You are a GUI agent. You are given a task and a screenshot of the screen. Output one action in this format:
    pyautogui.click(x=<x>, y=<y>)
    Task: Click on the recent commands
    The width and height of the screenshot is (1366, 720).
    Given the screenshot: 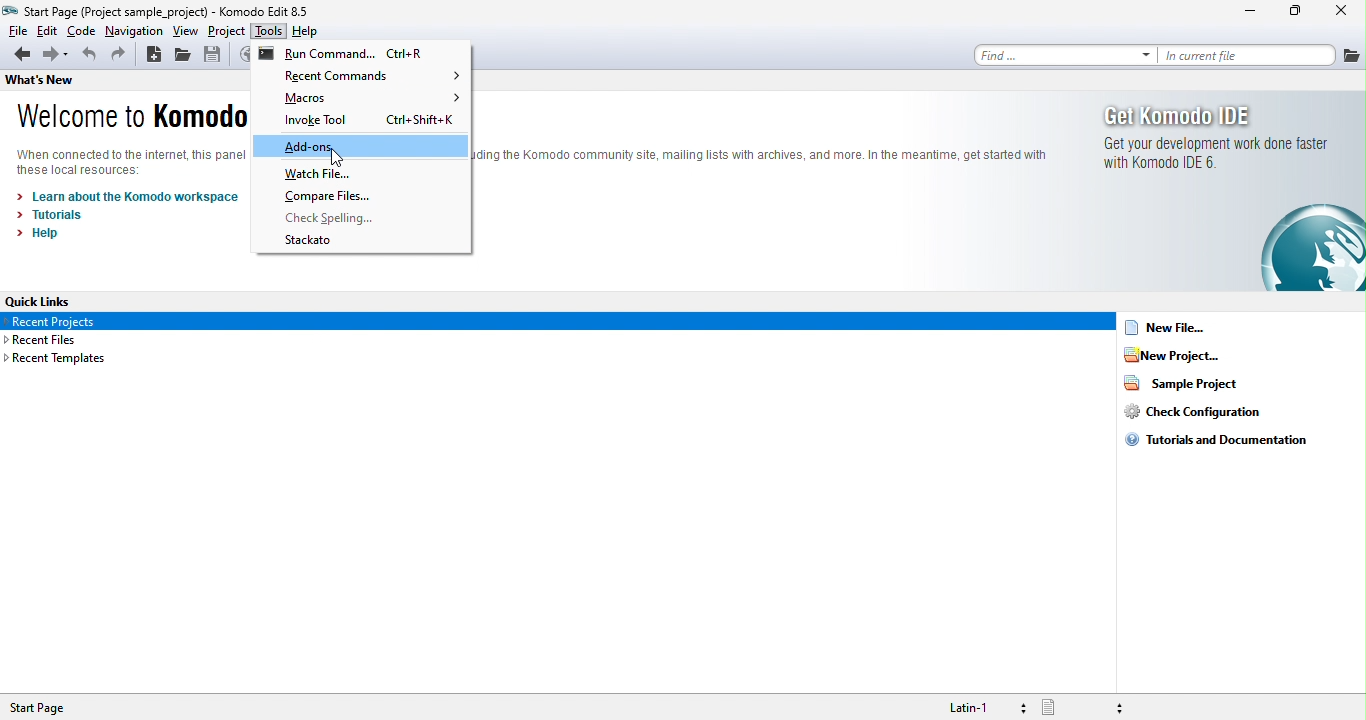 What is the action you would take?
    pyautogui.click(x=372, y=77)
    